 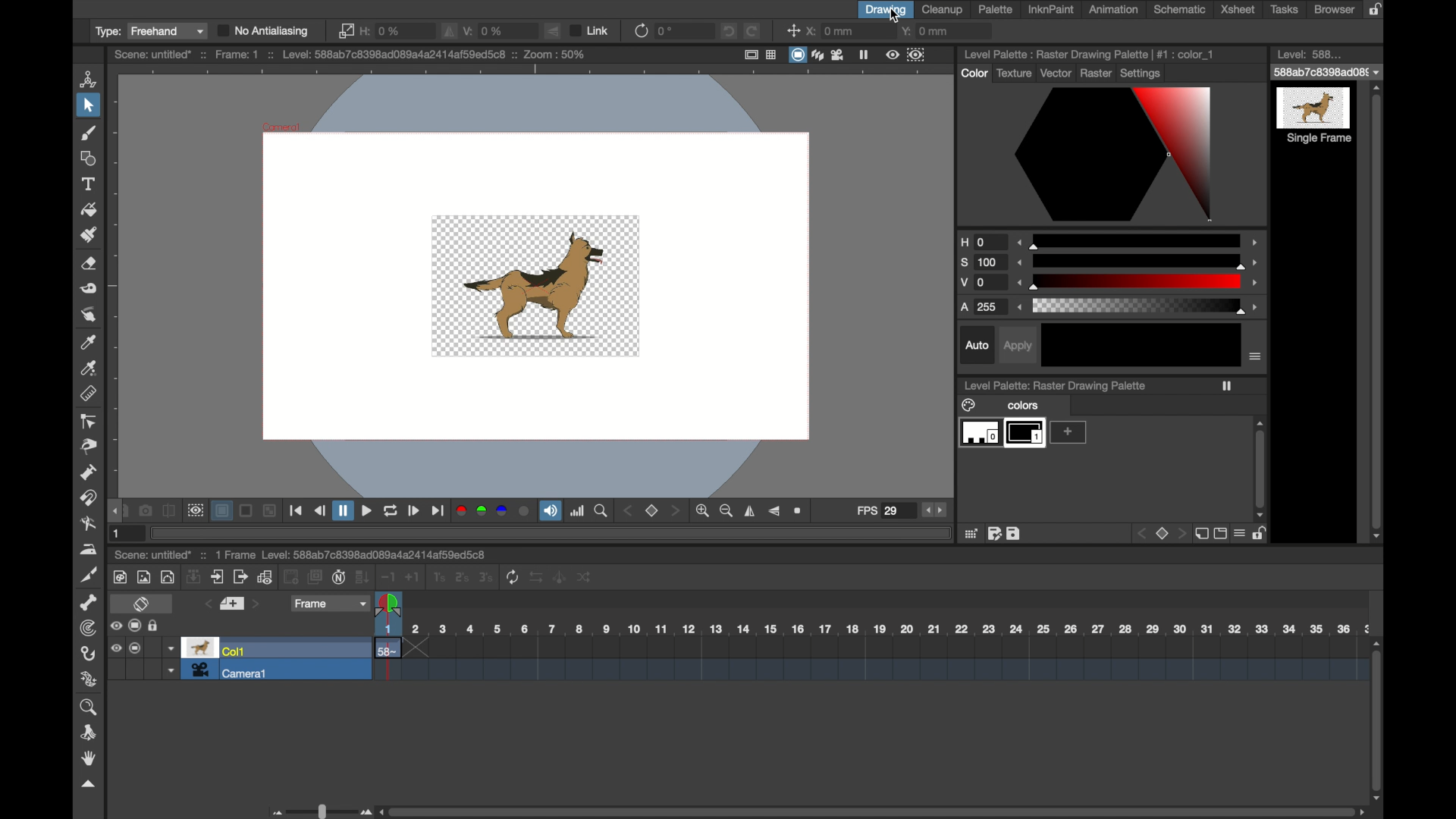 I want to click on fill tool, so click(x=87, y=209).